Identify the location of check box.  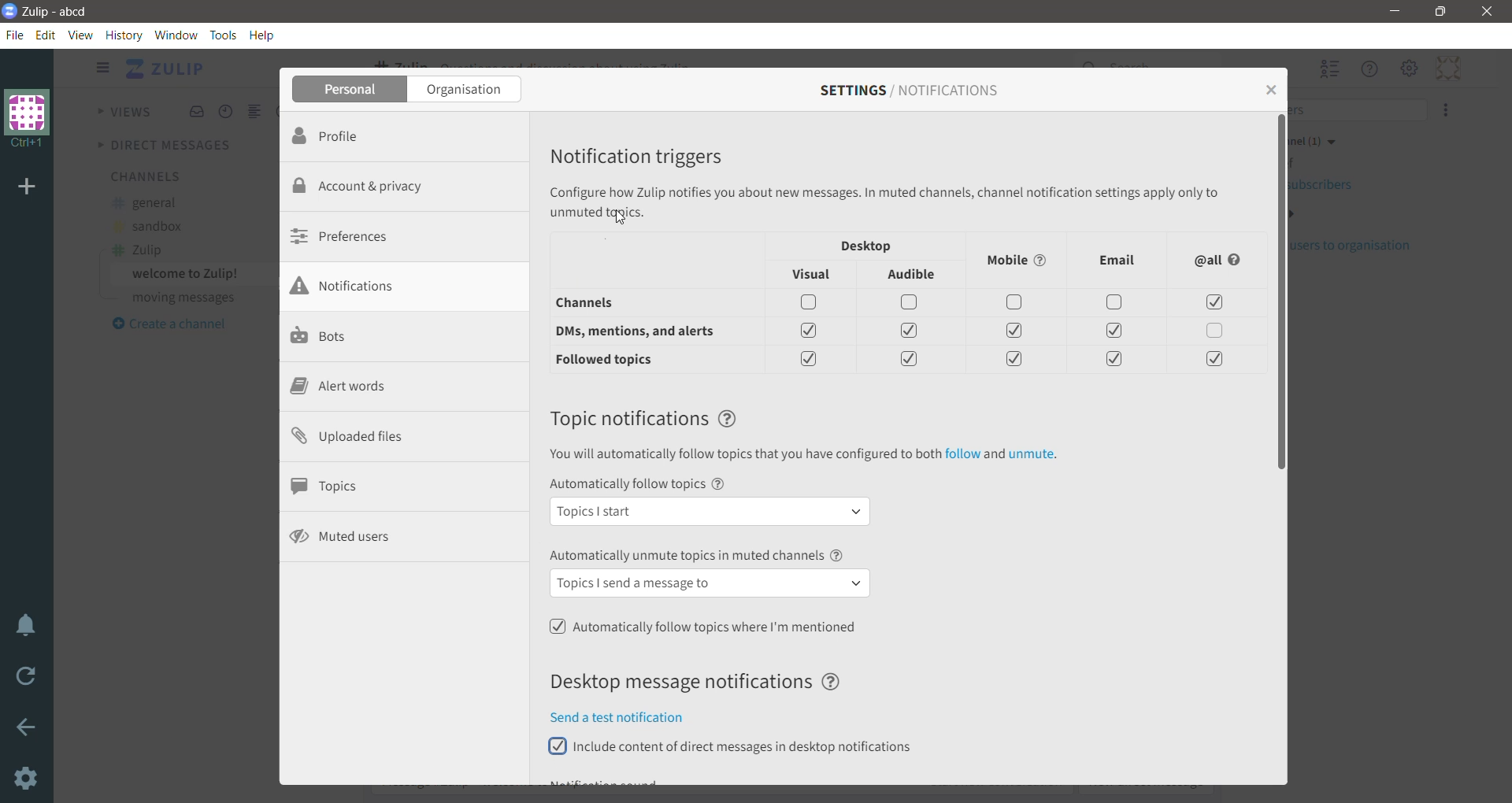
(910, 303).